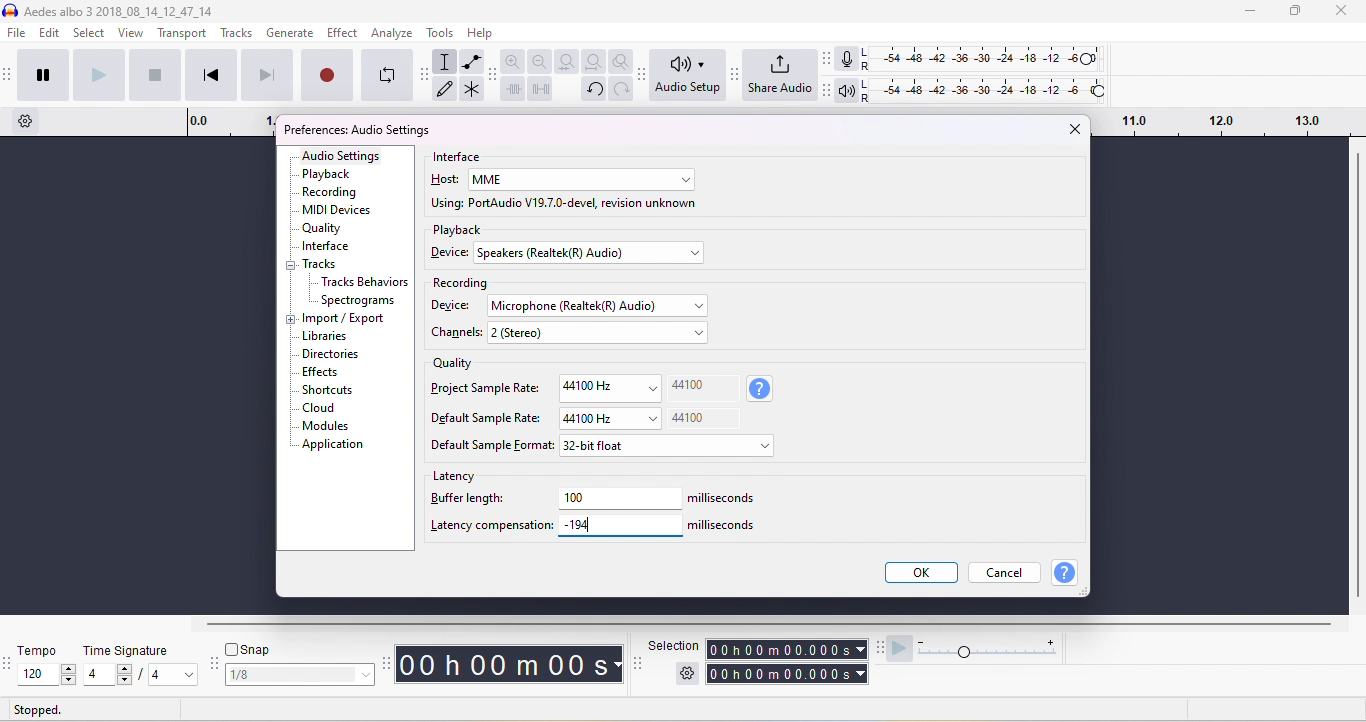 The height and width of the screenshot is (722, 1366). Describe the element at coordinates (727, 499) in the screenshot. I see `milliseconds` at that location.